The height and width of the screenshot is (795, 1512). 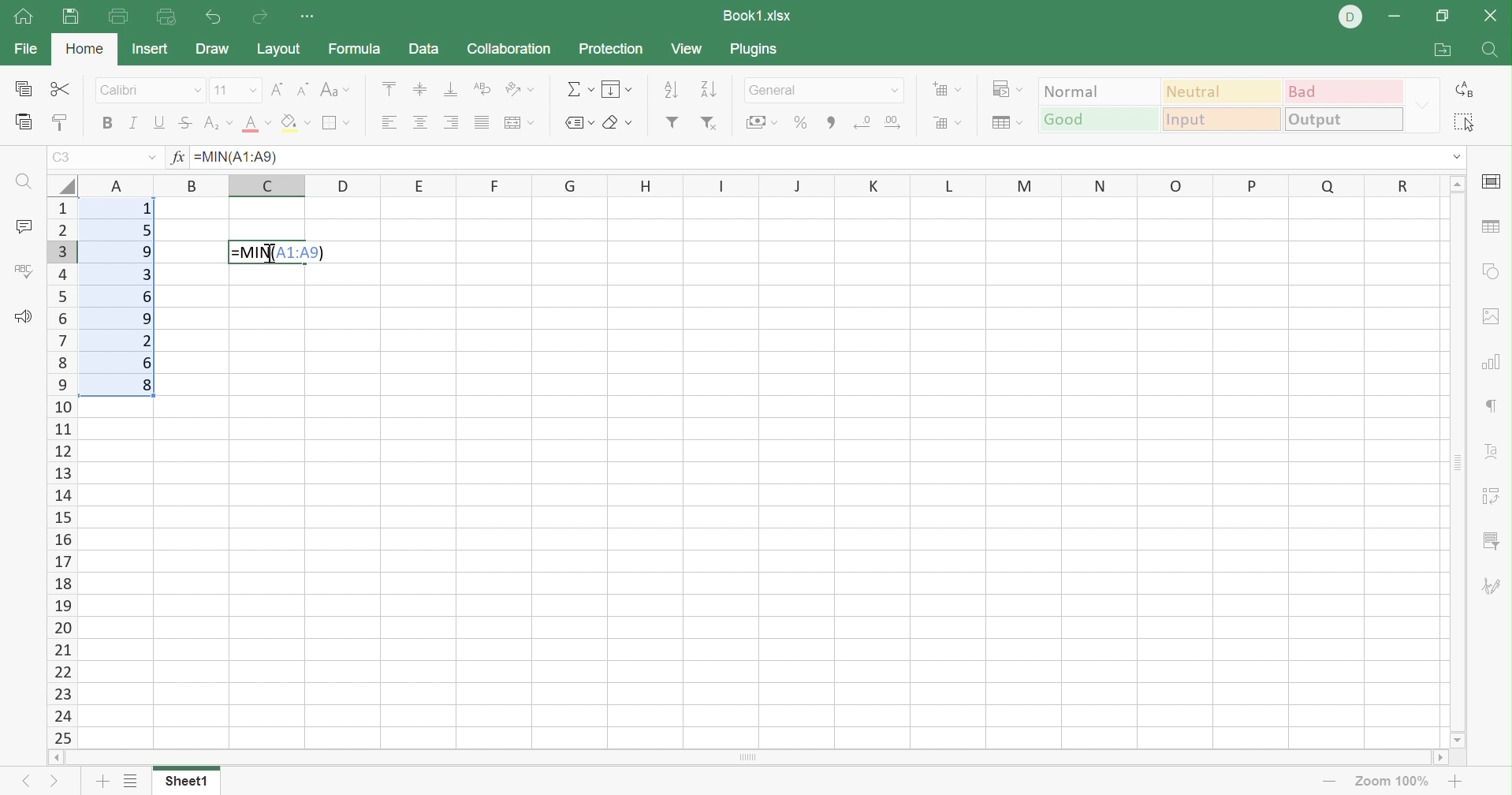 What do you see at coordinates (1342, 90) in the screenshot?
I see `Bad` at bounding box center [1342, 90].